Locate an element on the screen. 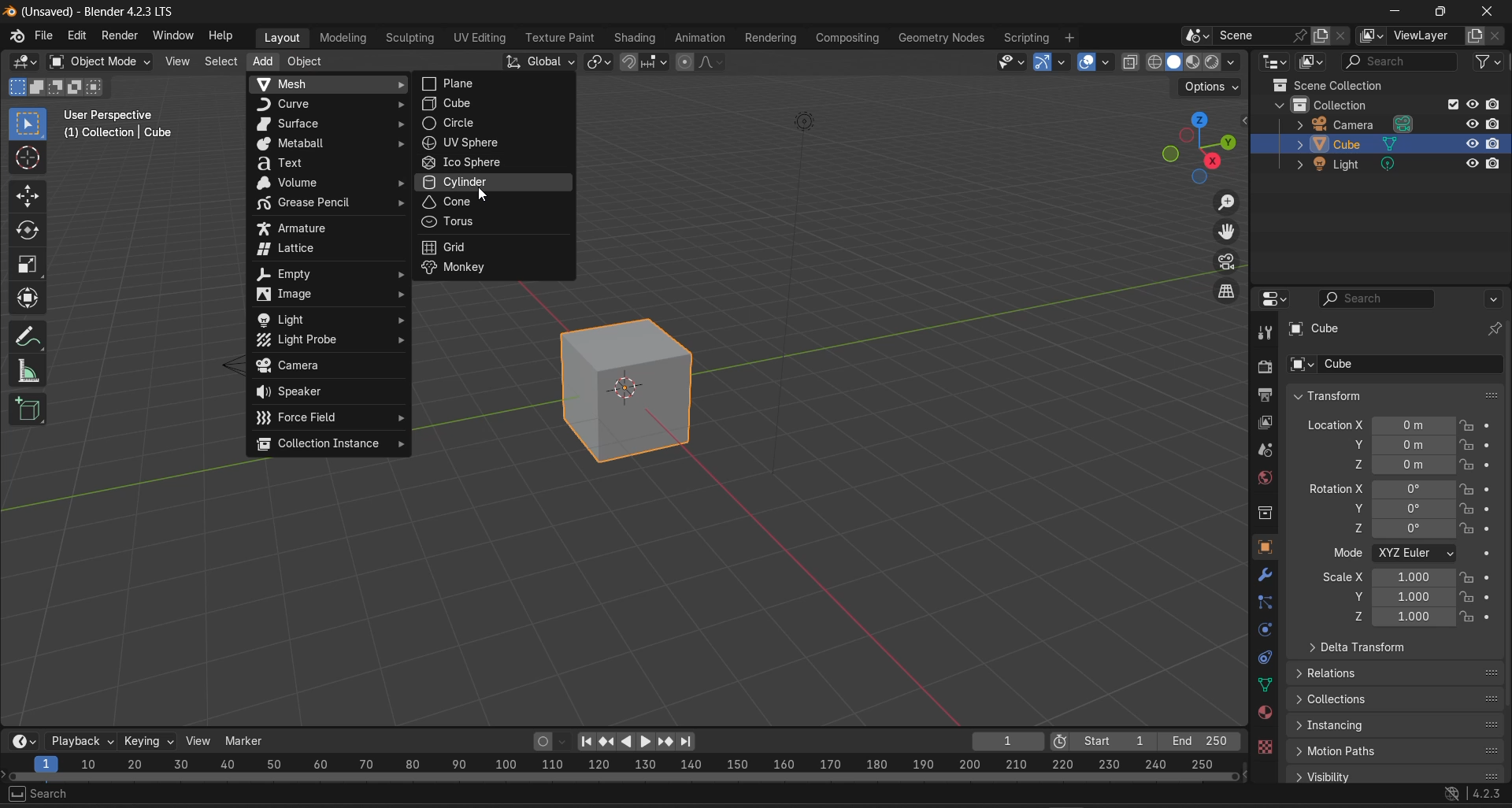 This screenshot has height=808, width=1512. light probe is located at coordinates (332, 341).